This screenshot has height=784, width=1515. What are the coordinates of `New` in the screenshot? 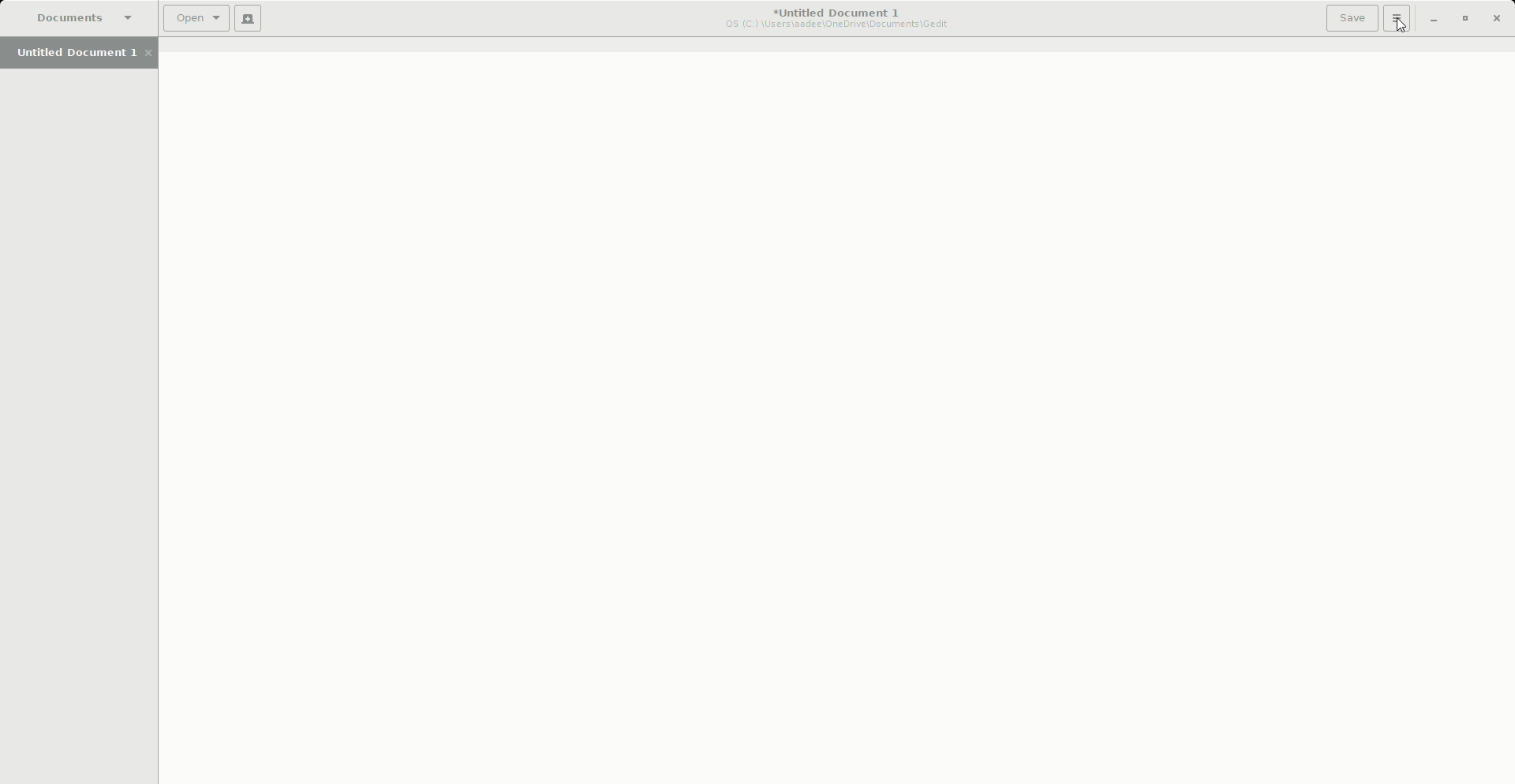 It's located at (249, 21).